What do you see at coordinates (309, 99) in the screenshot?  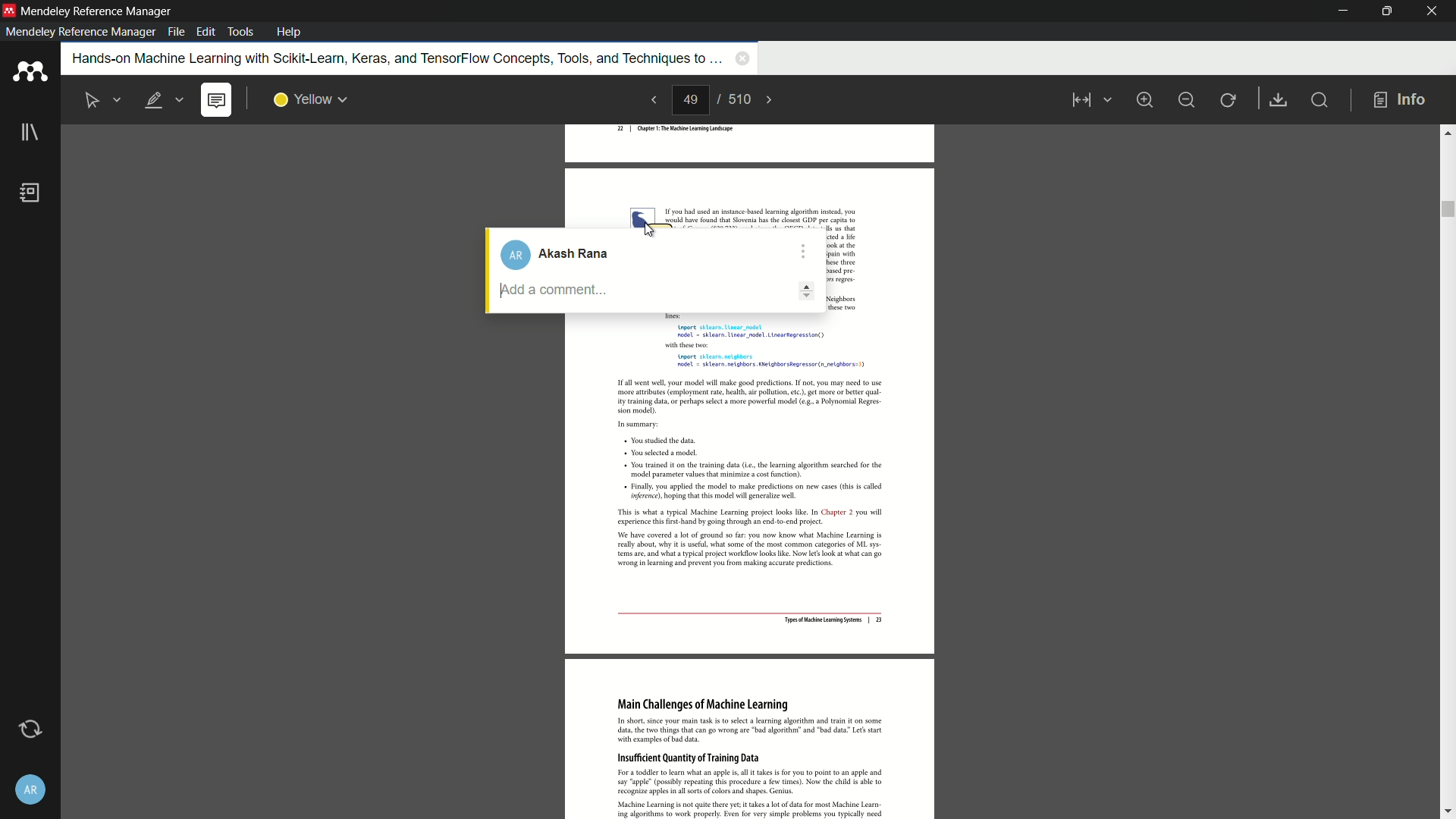 I see `text highlight color` at bounding box center [309, 99].